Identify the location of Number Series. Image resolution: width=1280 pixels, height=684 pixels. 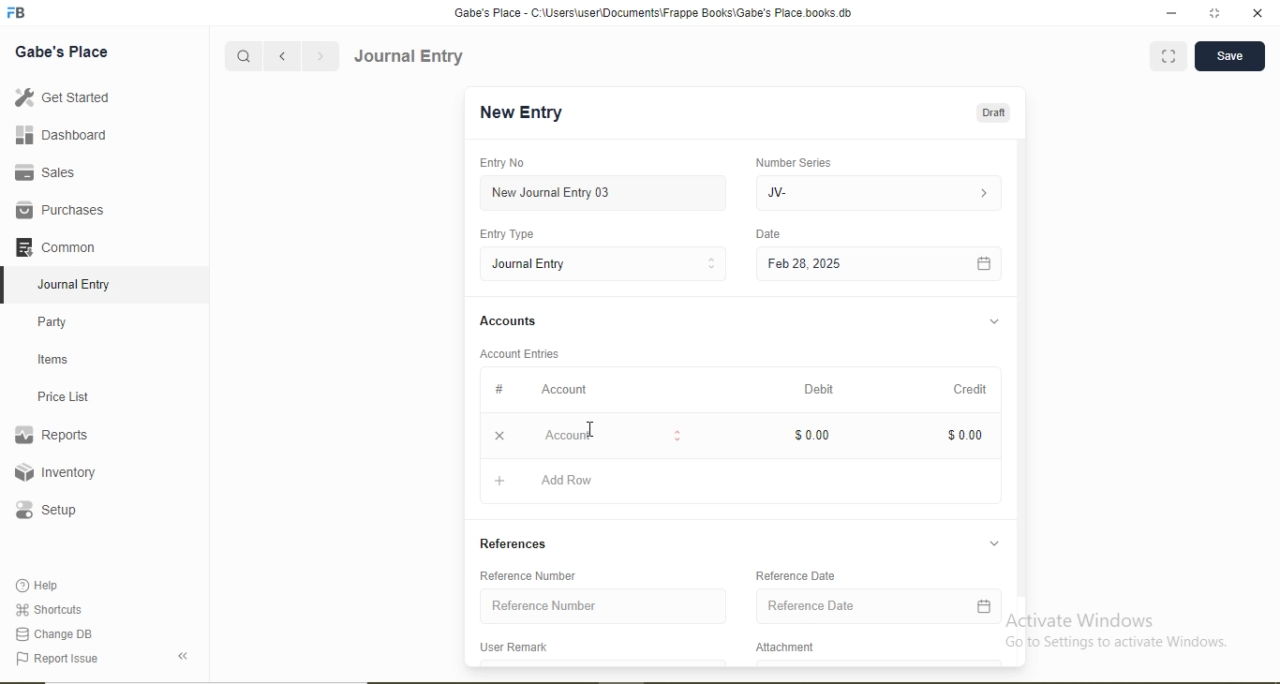
(793, 163).